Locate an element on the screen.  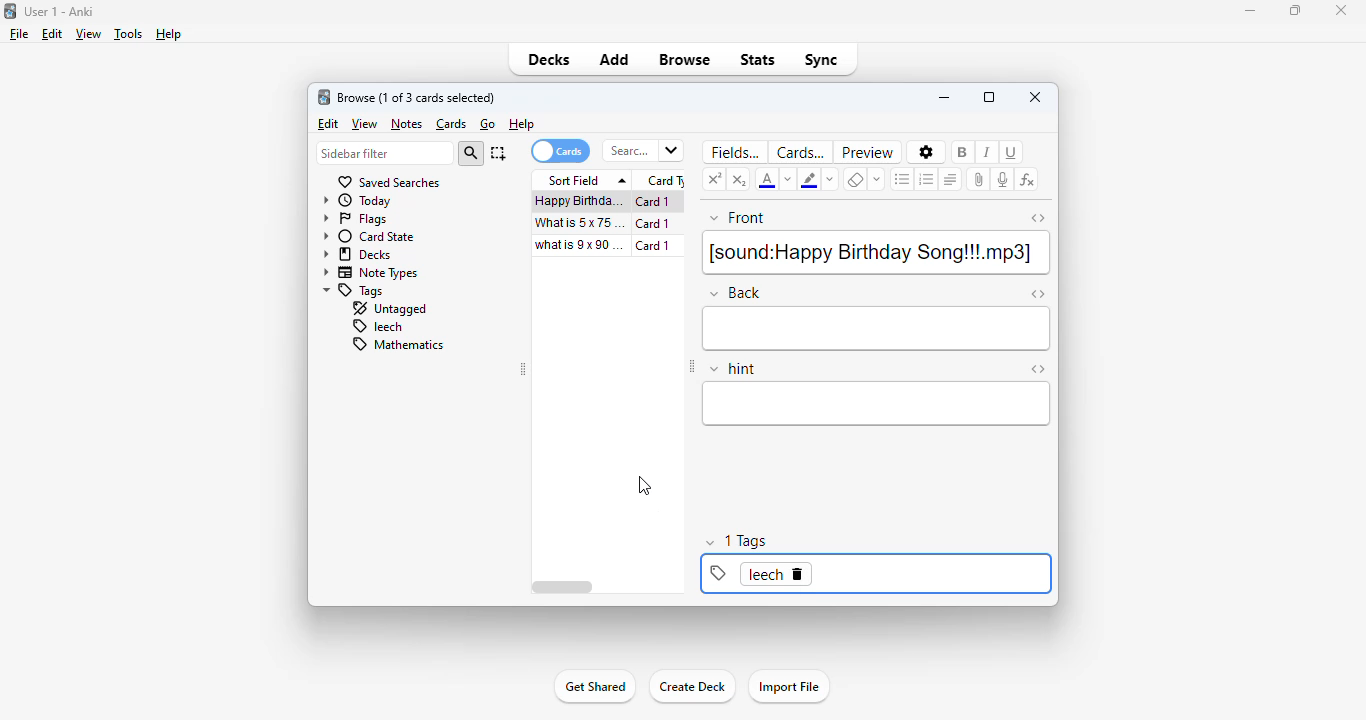
toggle sidebar is located at coordinates (524, 370).